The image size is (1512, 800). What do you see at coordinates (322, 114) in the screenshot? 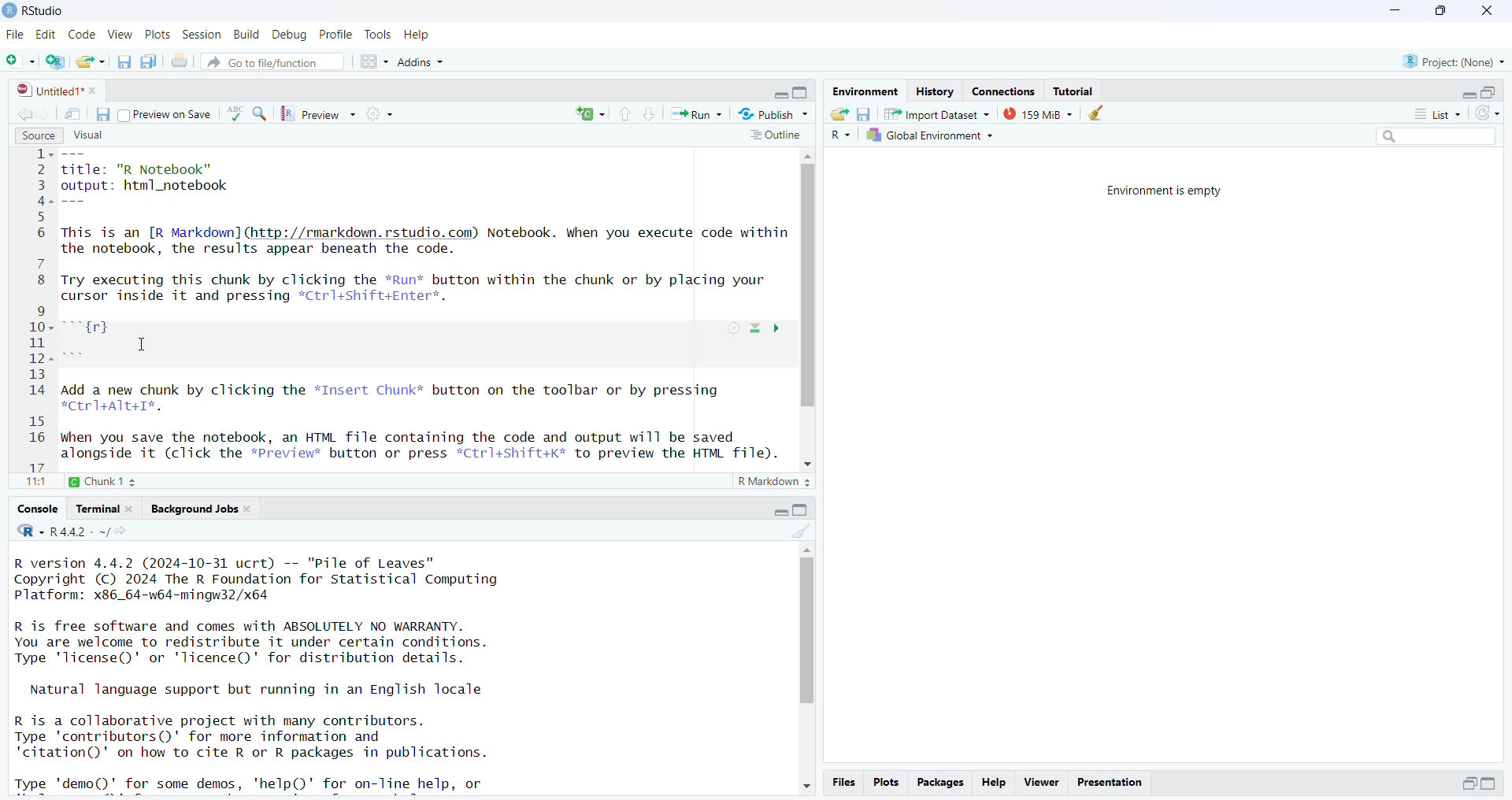
I see `preview` at bounding box center [322, 114].